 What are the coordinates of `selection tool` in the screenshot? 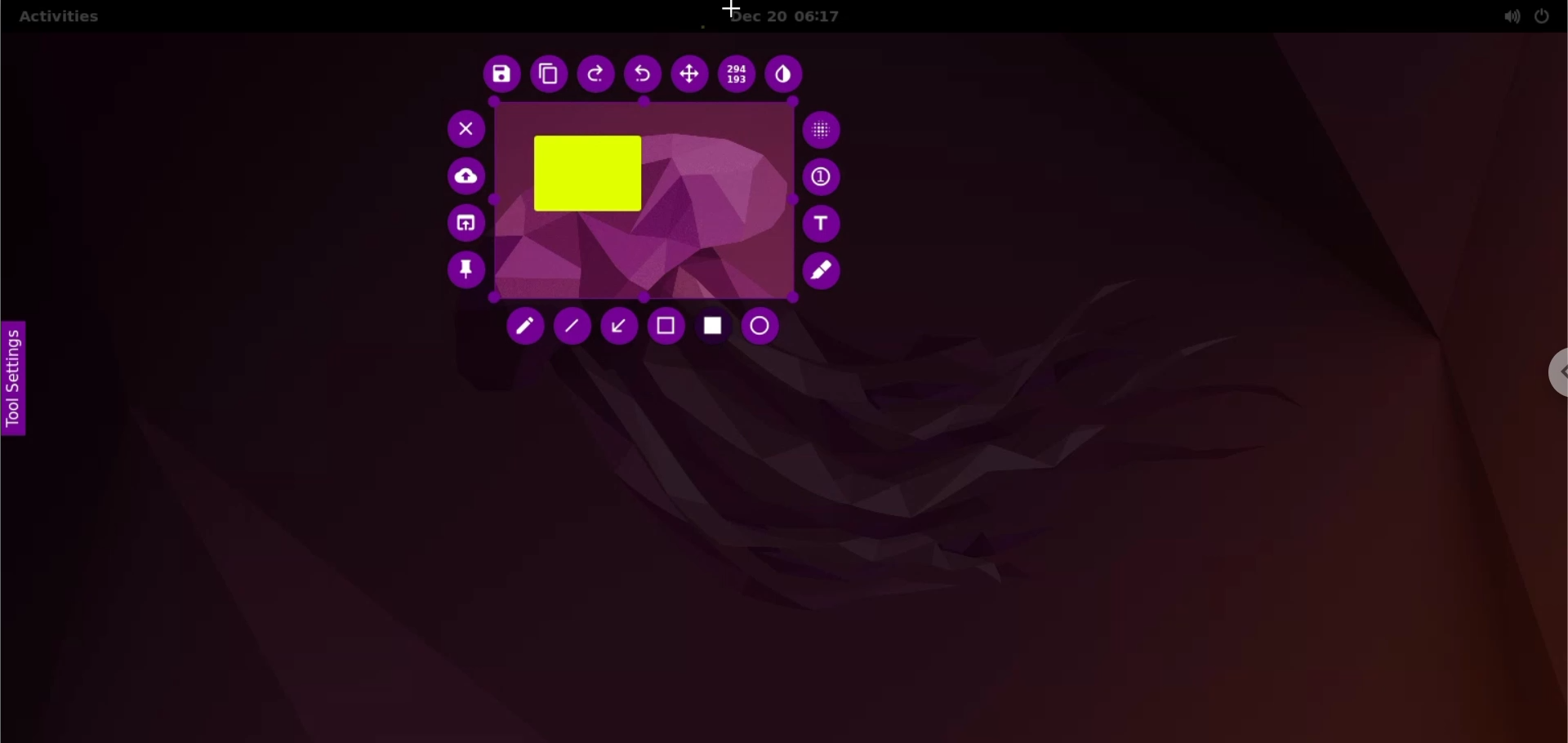 It's located at (667, 327).